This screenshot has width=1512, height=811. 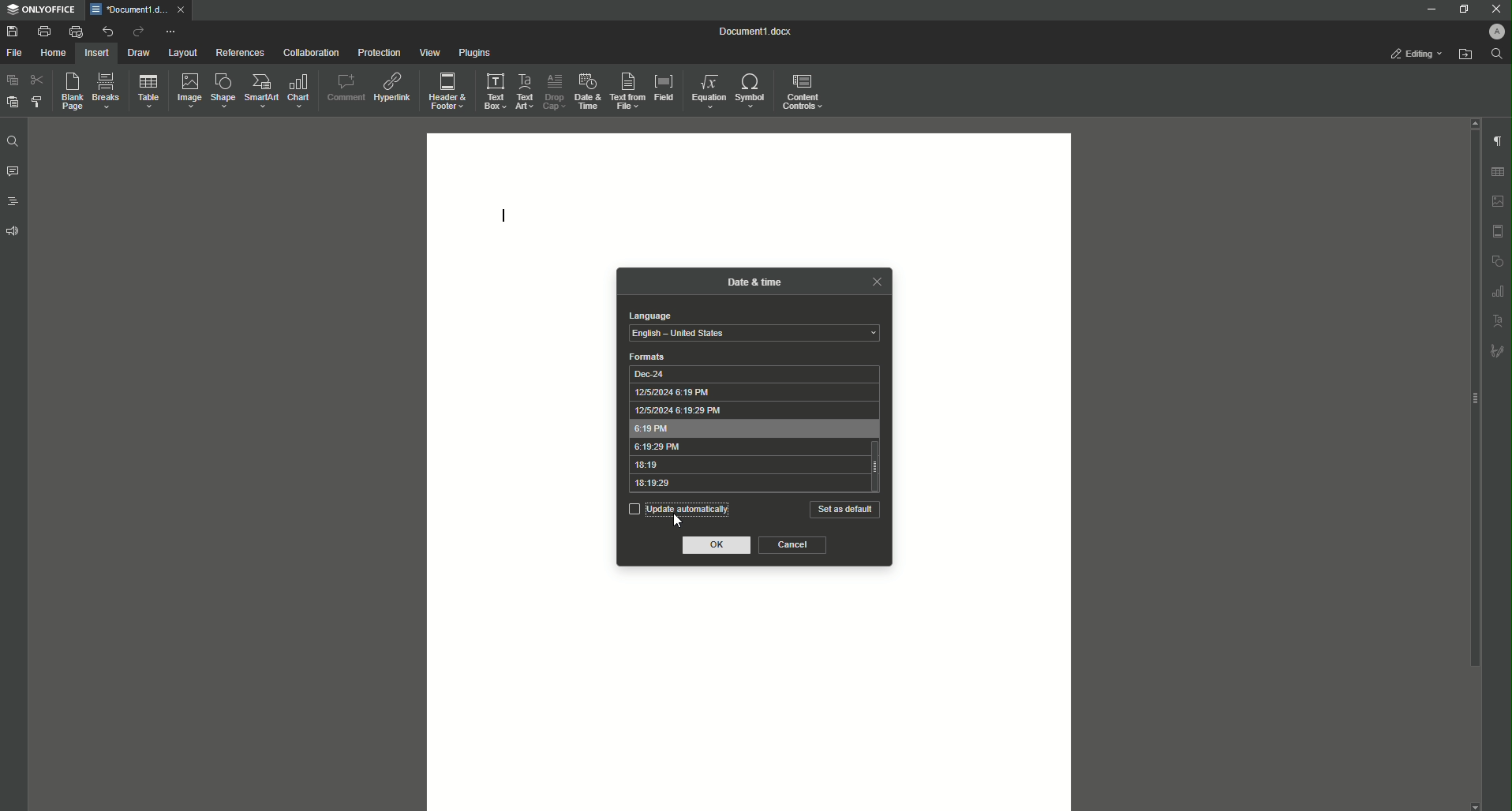 What do you see at coordinates (12, 200) in the screenshot?
I see `Headings` at bounding box center [12, 200].